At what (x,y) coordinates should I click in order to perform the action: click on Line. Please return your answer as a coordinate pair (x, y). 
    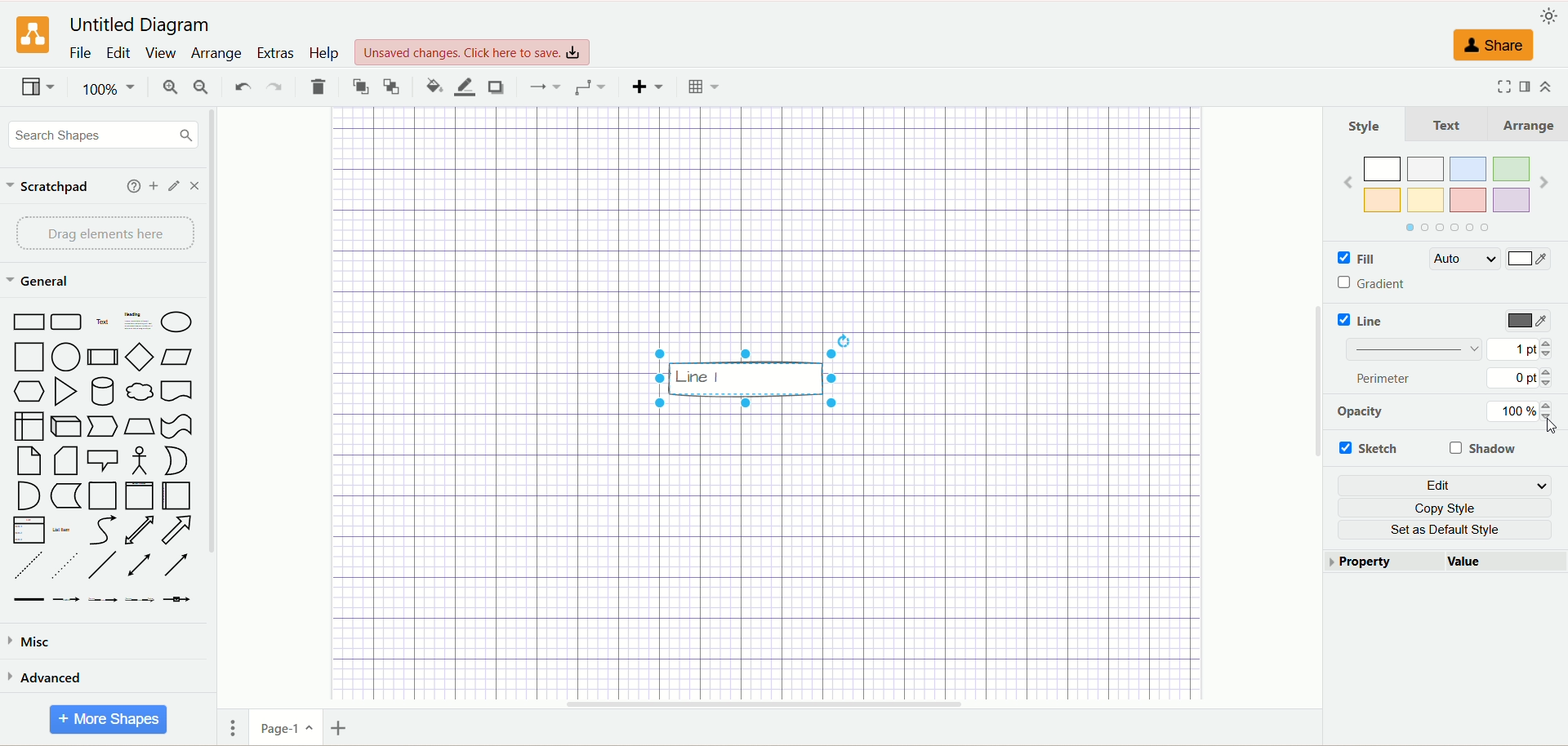
    Looking at the image, I should click on (1372, 322).